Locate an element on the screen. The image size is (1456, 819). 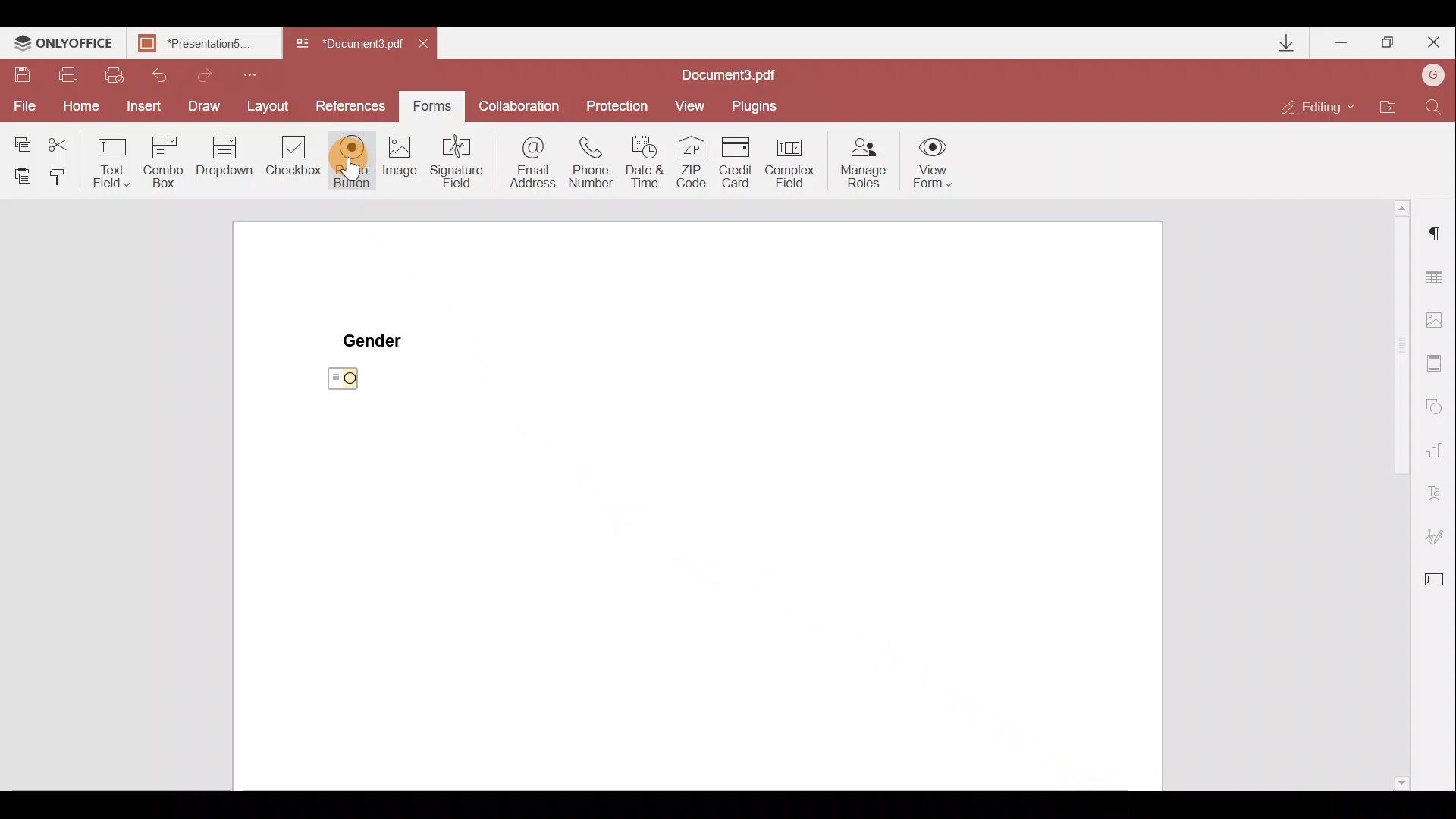
Close is located at coordinates (1434, 43).